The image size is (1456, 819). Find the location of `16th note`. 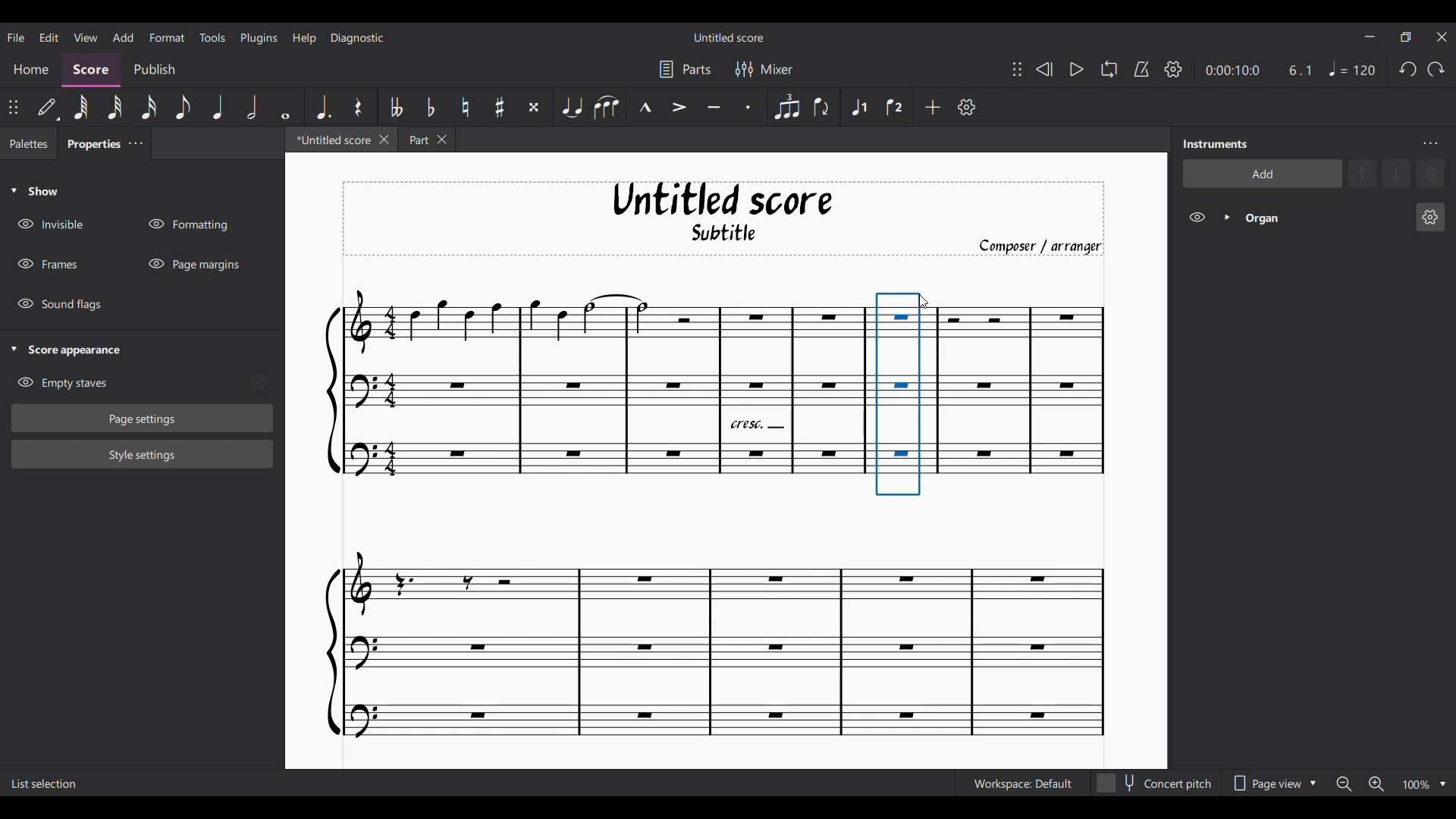

16th note is located at coordinates (149, 108).